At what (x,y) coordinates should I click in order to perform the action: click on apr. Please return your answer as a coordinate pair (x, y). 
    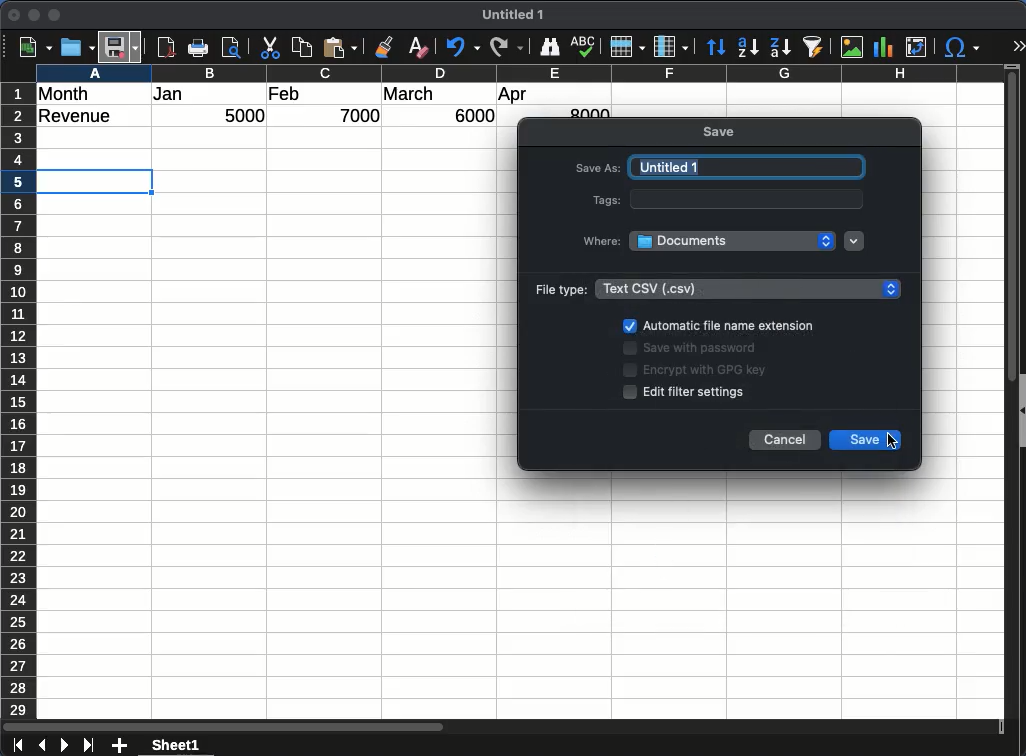
    Looking at the image, I should click on (514, 96).